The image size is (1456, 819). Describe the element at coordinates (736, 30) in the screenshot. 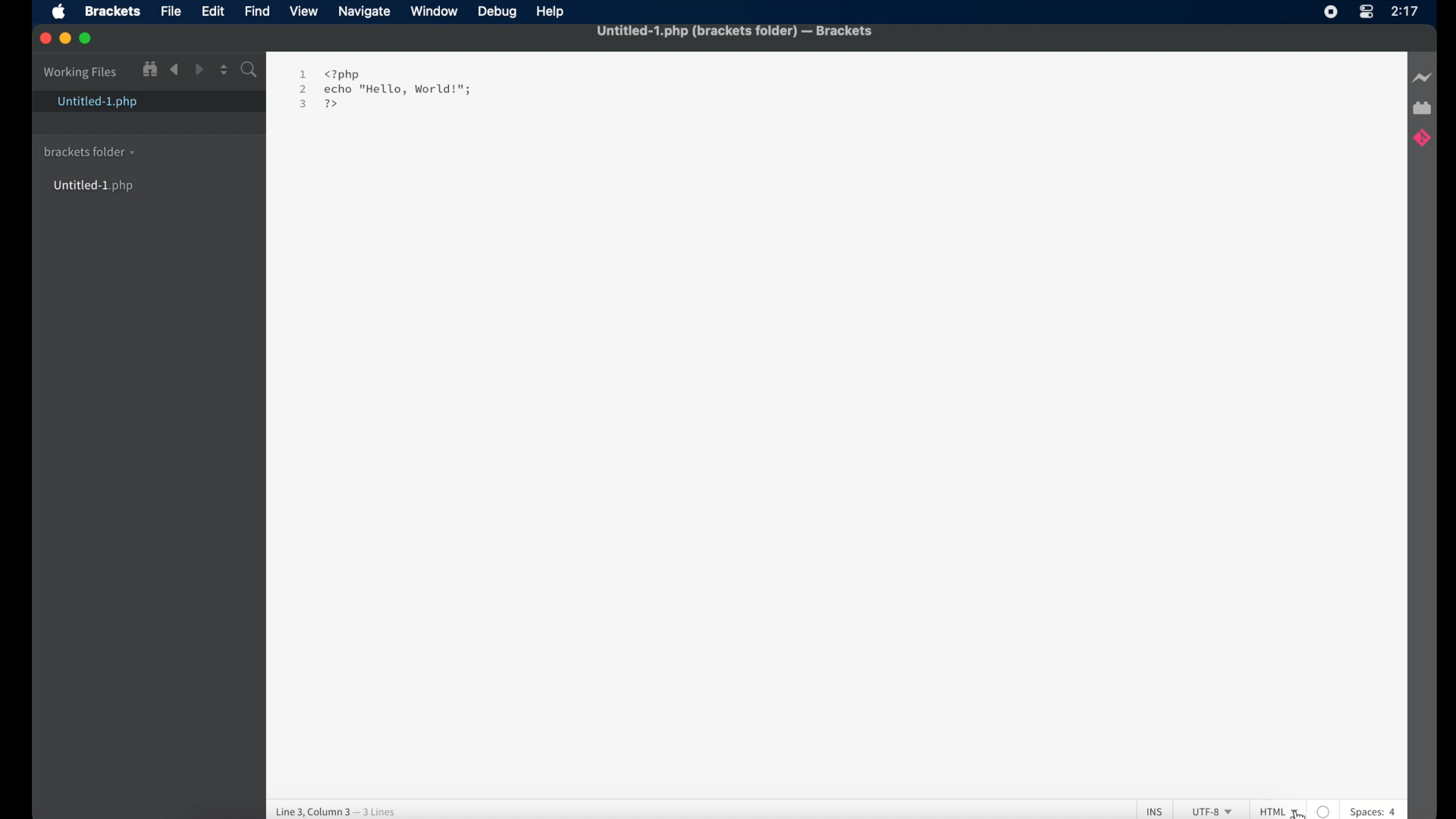

I see `untitled -1 .php (brackets folder) - Brackets` at that location.